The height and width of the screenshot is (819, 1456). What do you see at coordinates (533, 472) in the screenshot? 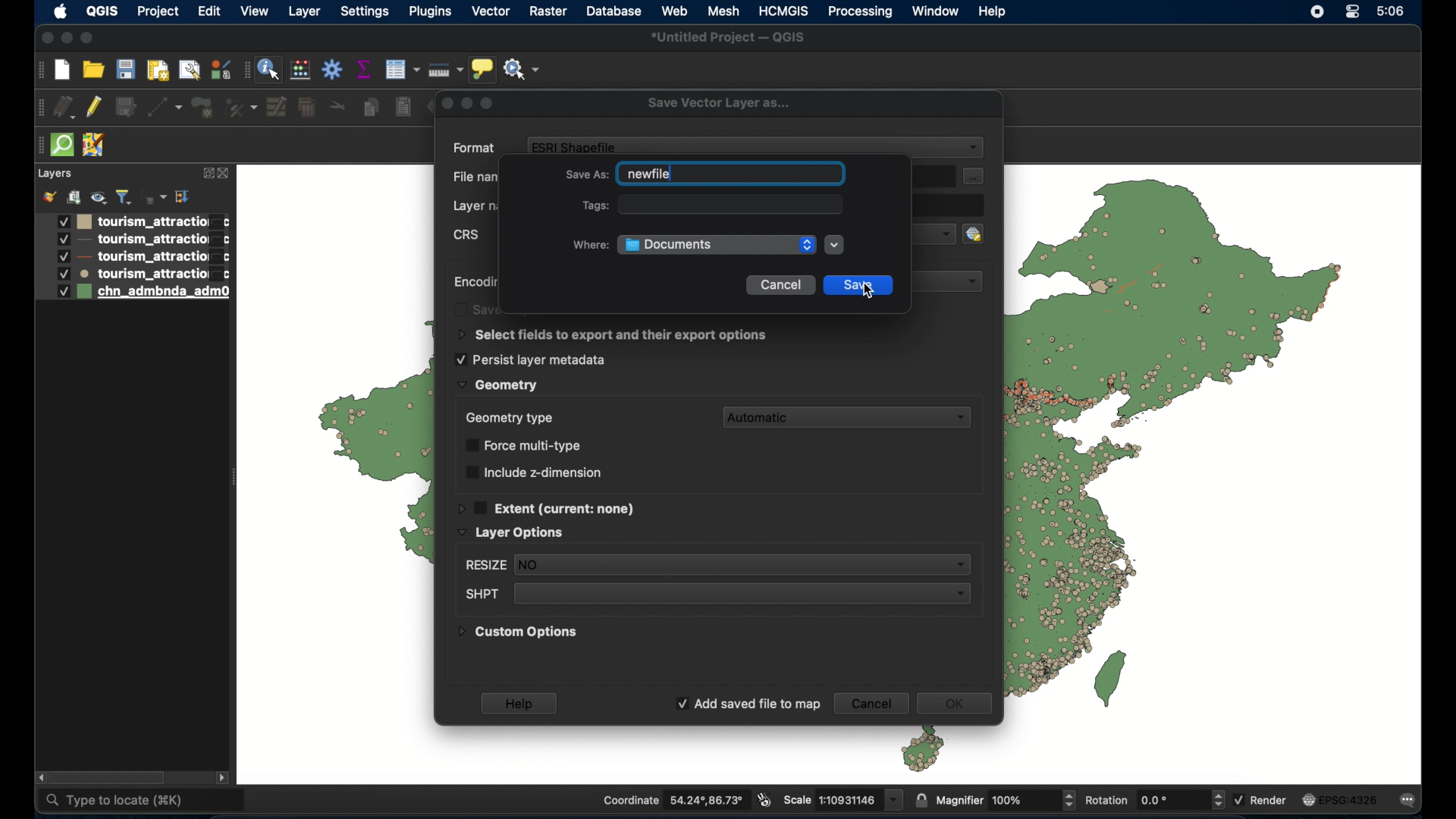
I see `include z dimension checkbox` at bounding box center [533, 472].